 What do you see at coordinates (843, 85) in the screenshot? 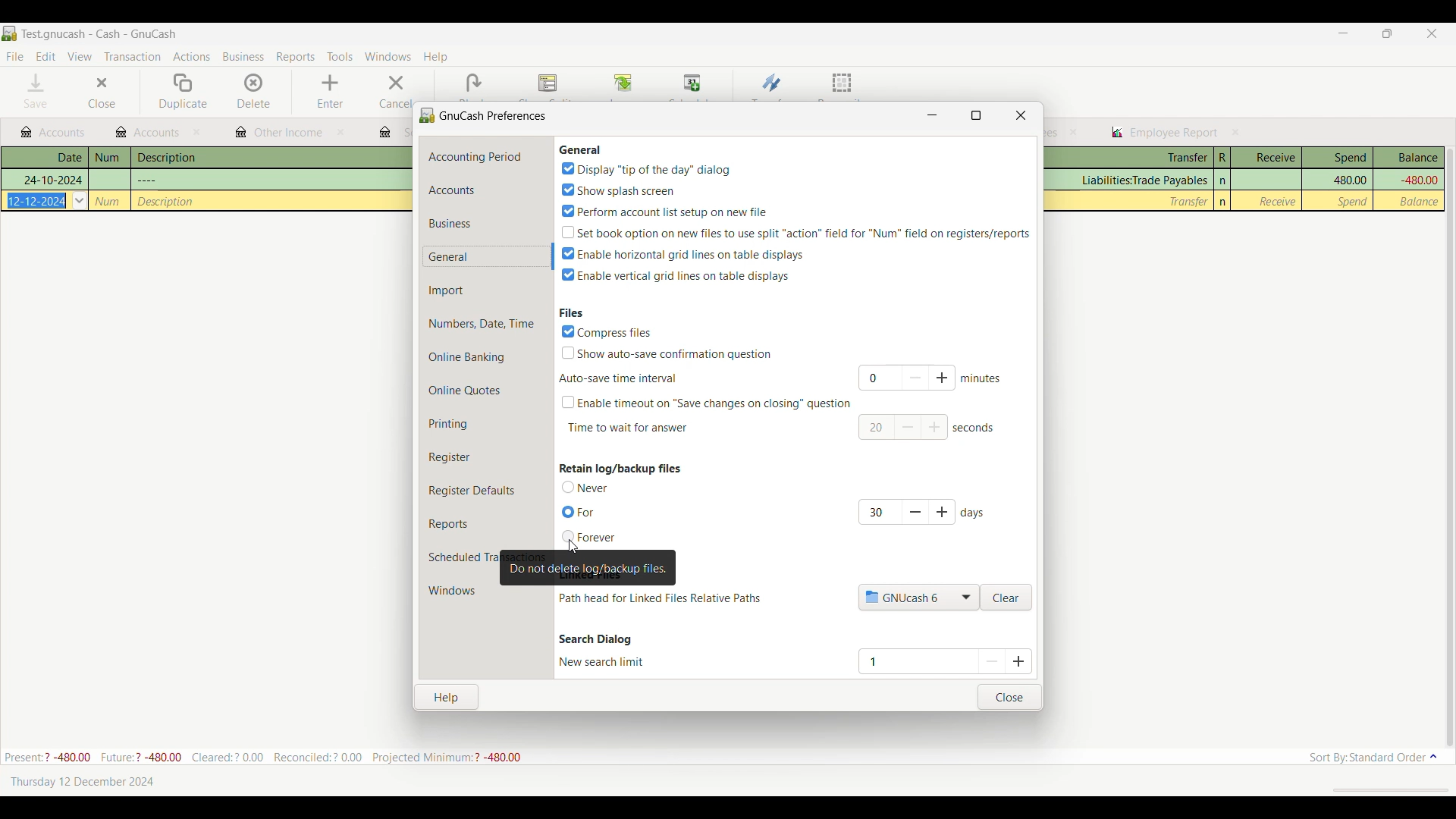
I see `Reconcile` at bounding box center [843, 85].